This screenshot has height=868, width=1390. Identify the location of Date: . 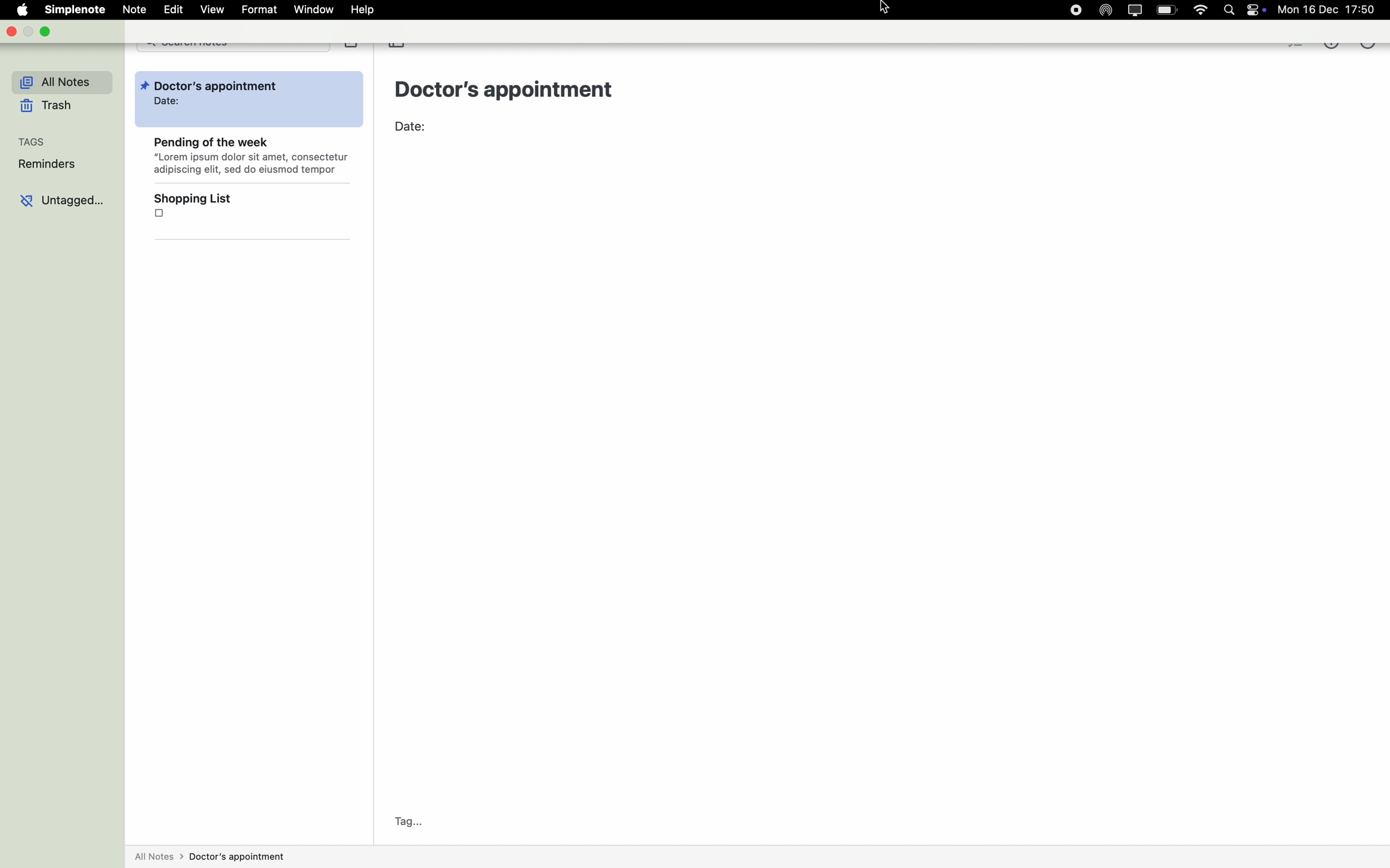
(415, 129).